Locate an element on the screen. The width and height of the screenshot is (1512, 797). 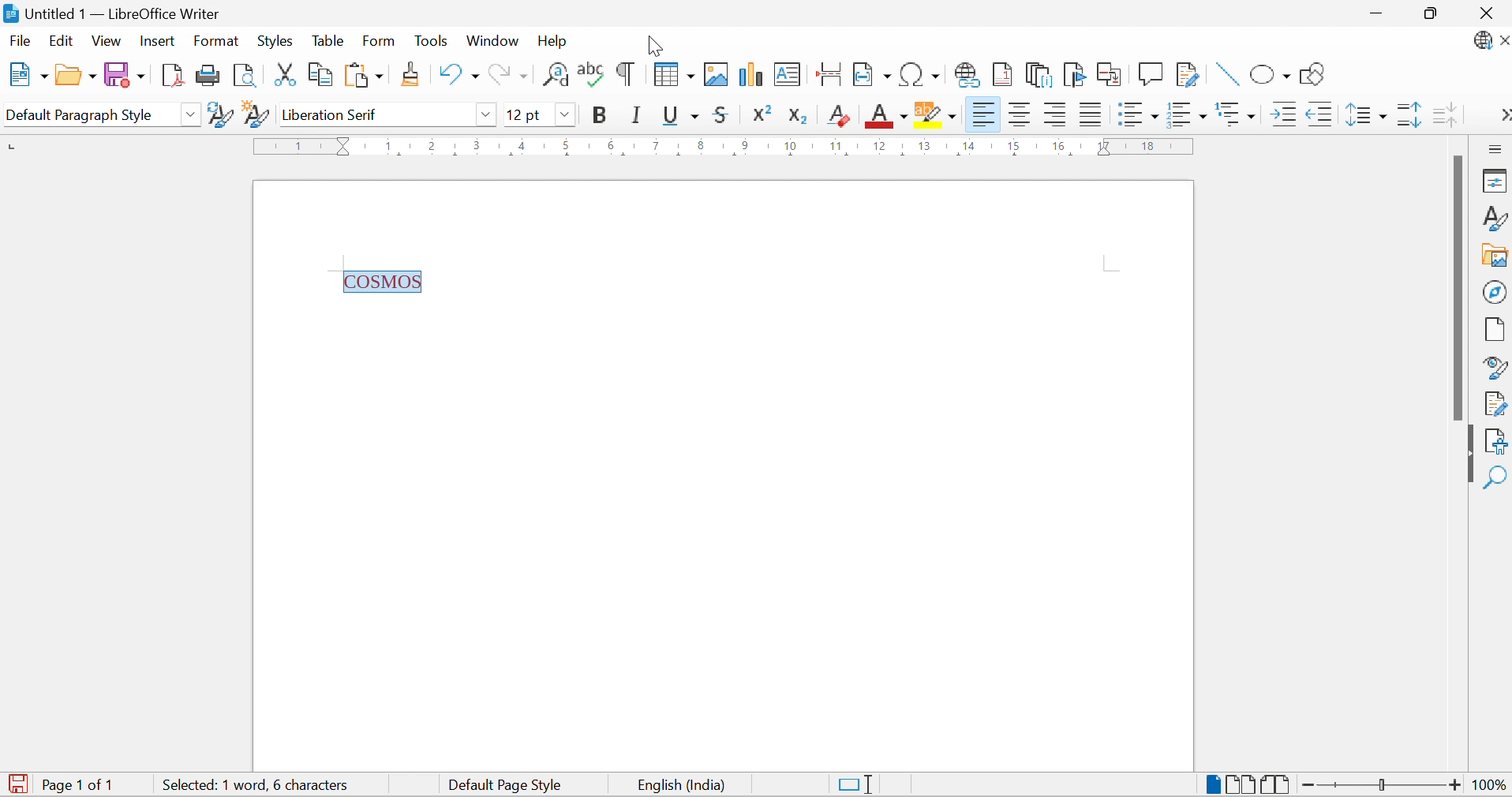
Insert is located at coordinates (159, 42).